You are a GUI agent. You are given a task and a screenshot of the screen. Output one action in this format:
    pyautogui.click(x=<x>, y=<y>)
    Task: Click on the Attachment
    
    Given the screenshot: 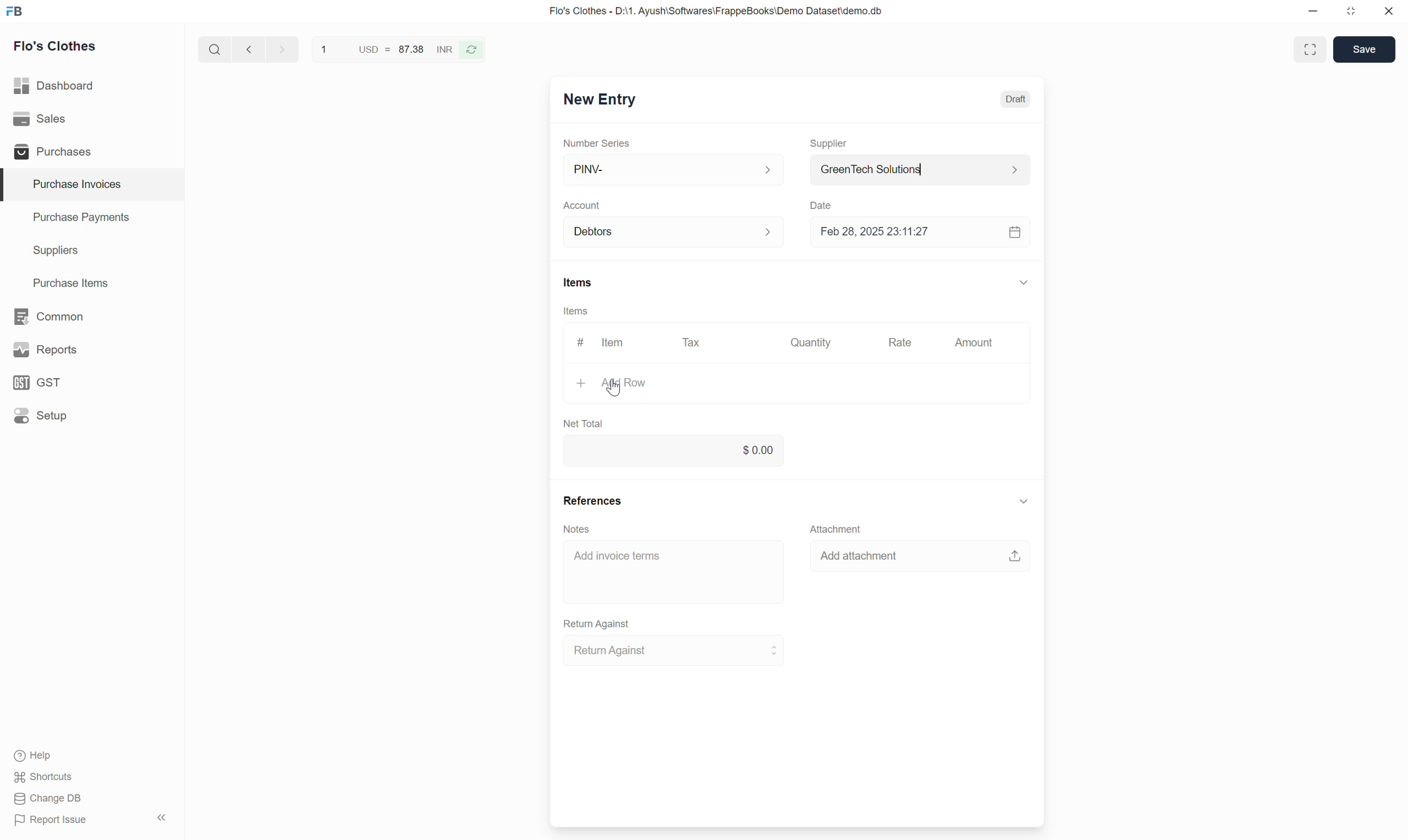 What is the action you would take?
    pyautogui.click(x=836, y=529)
    